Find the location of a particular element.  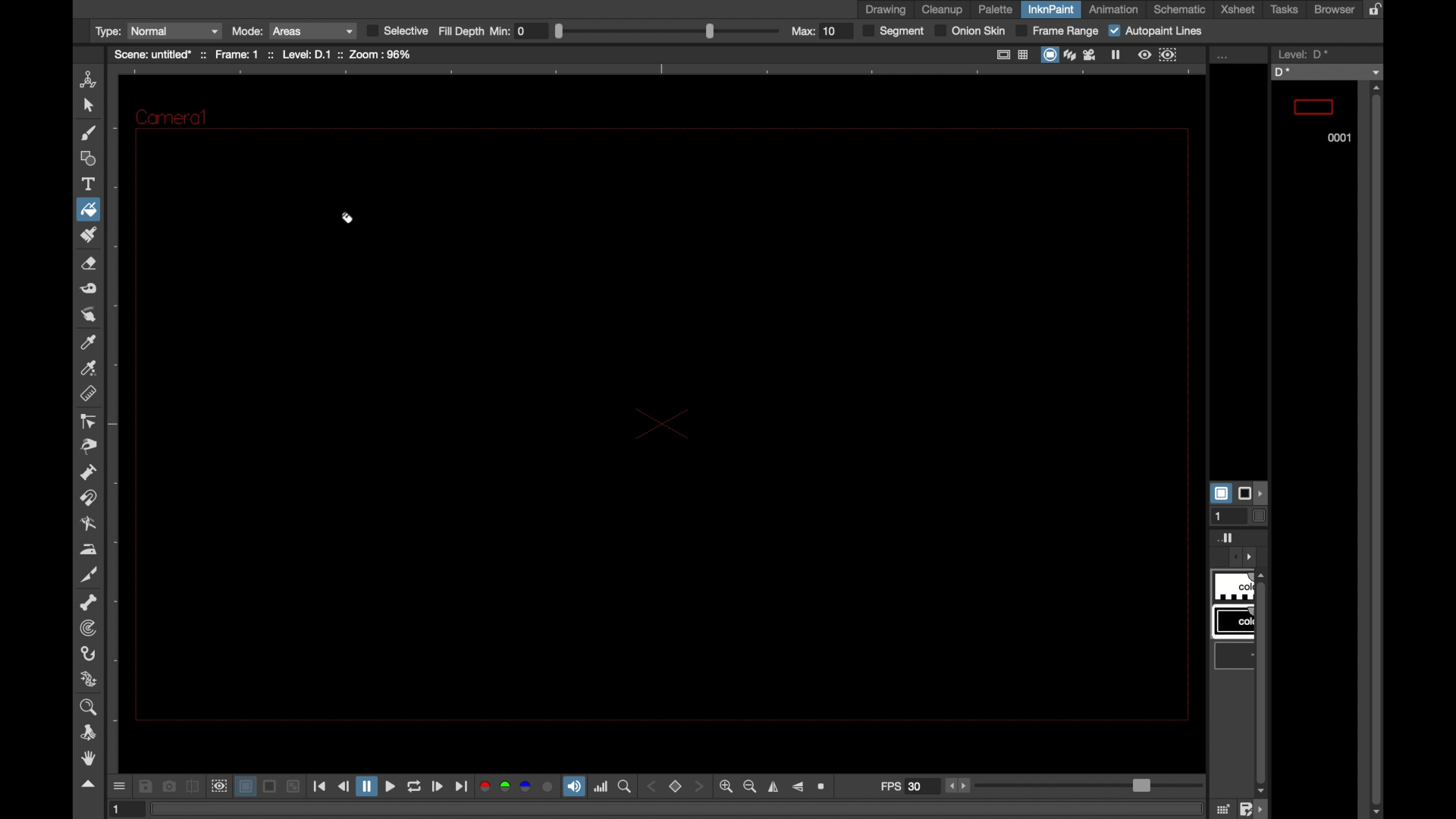

pinch tool is located at coordinates (90, 447).